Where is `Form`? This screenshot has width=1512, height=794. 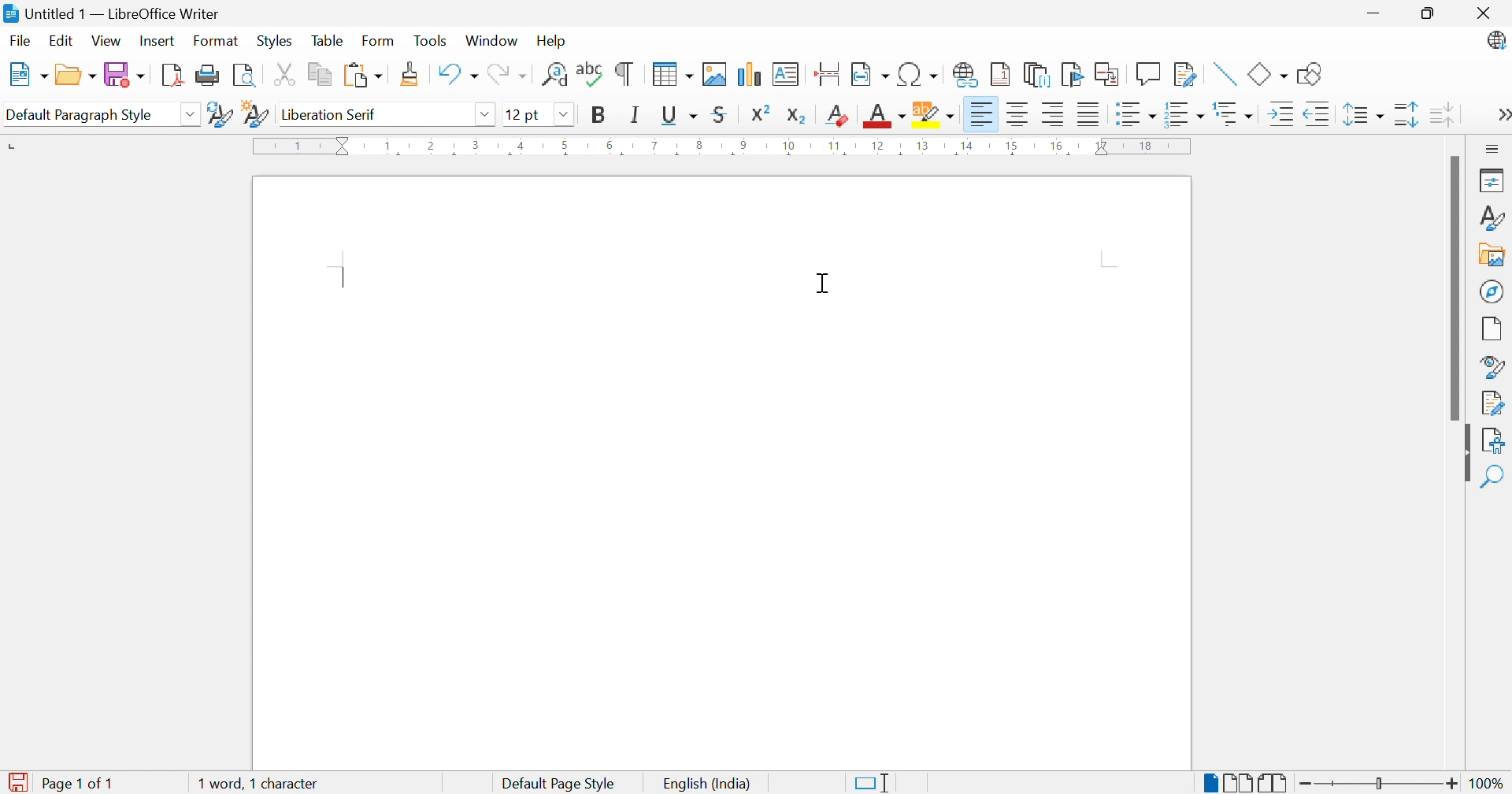 Form is located at coordinates (379, 39).